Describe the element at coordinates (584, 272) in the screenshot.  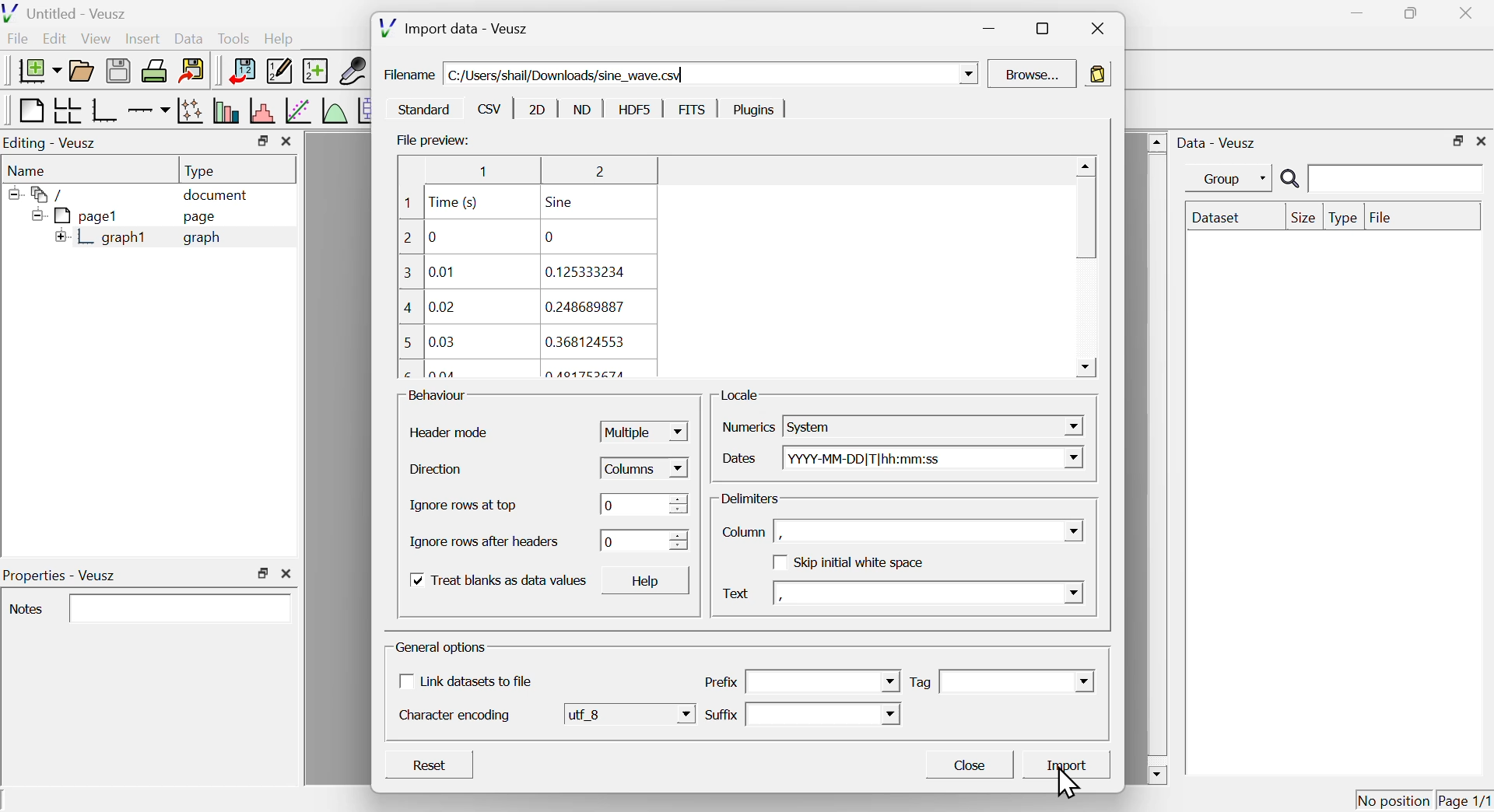
I see `0.125333234` at that location.